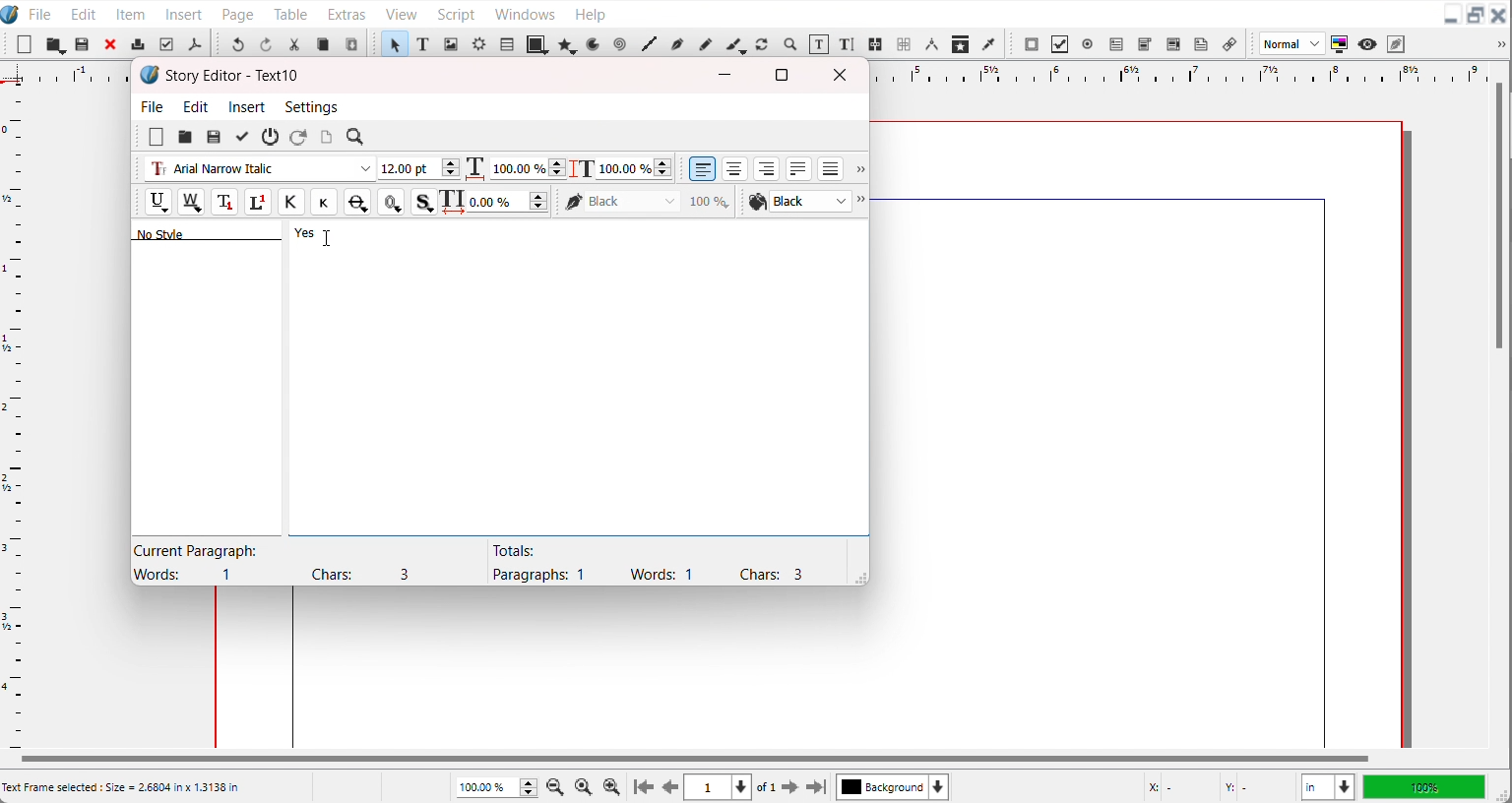 The width and height of the screenshot is (1512, 803). What do you see at coordinates (157, 202) in the screenshot?
I see `Underline` at bounding box center [157, 202].